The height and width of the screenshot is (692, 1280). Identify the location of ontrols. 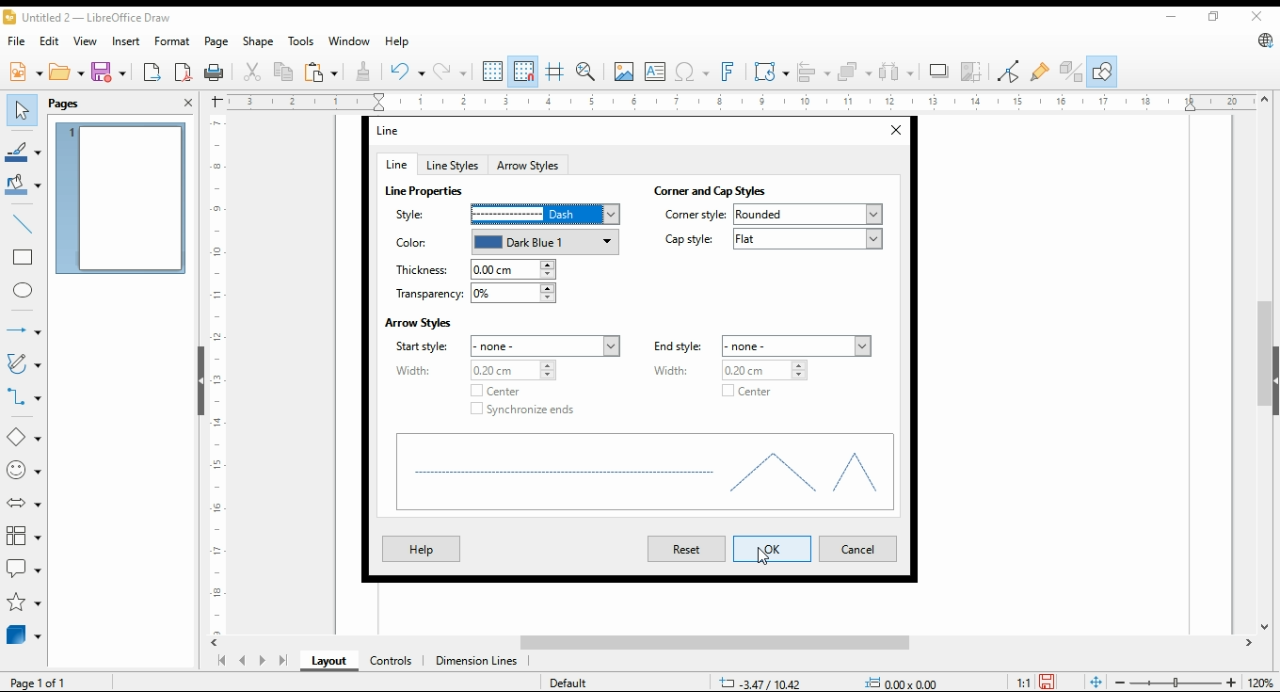
(392, 661).